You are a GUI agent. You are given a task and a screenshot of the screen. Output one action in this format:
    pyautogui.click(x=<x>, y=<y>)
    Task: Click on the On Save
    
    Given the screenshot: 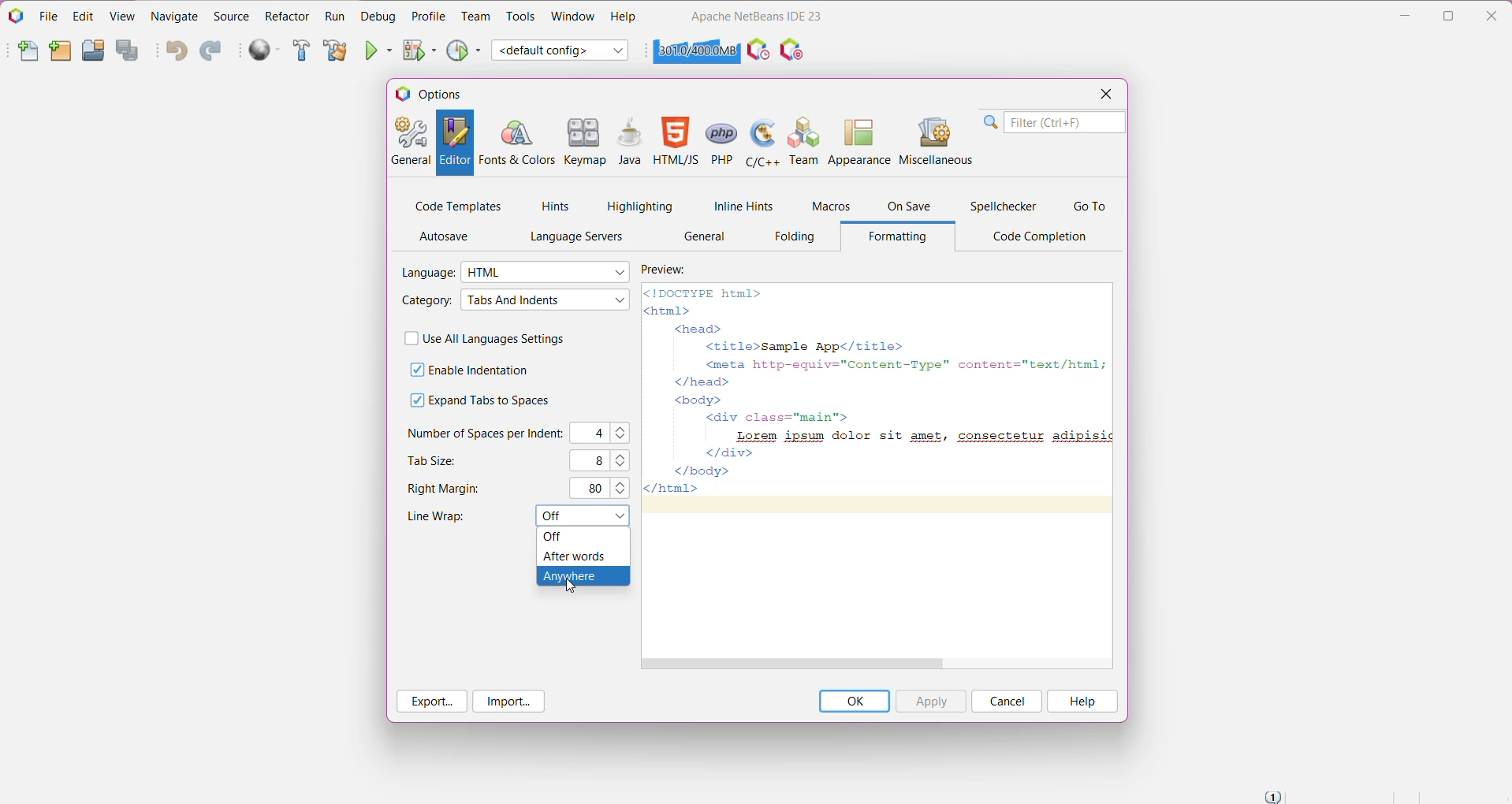 What is the action you would take?
    pyautogui.click(x=911, y=207)
    